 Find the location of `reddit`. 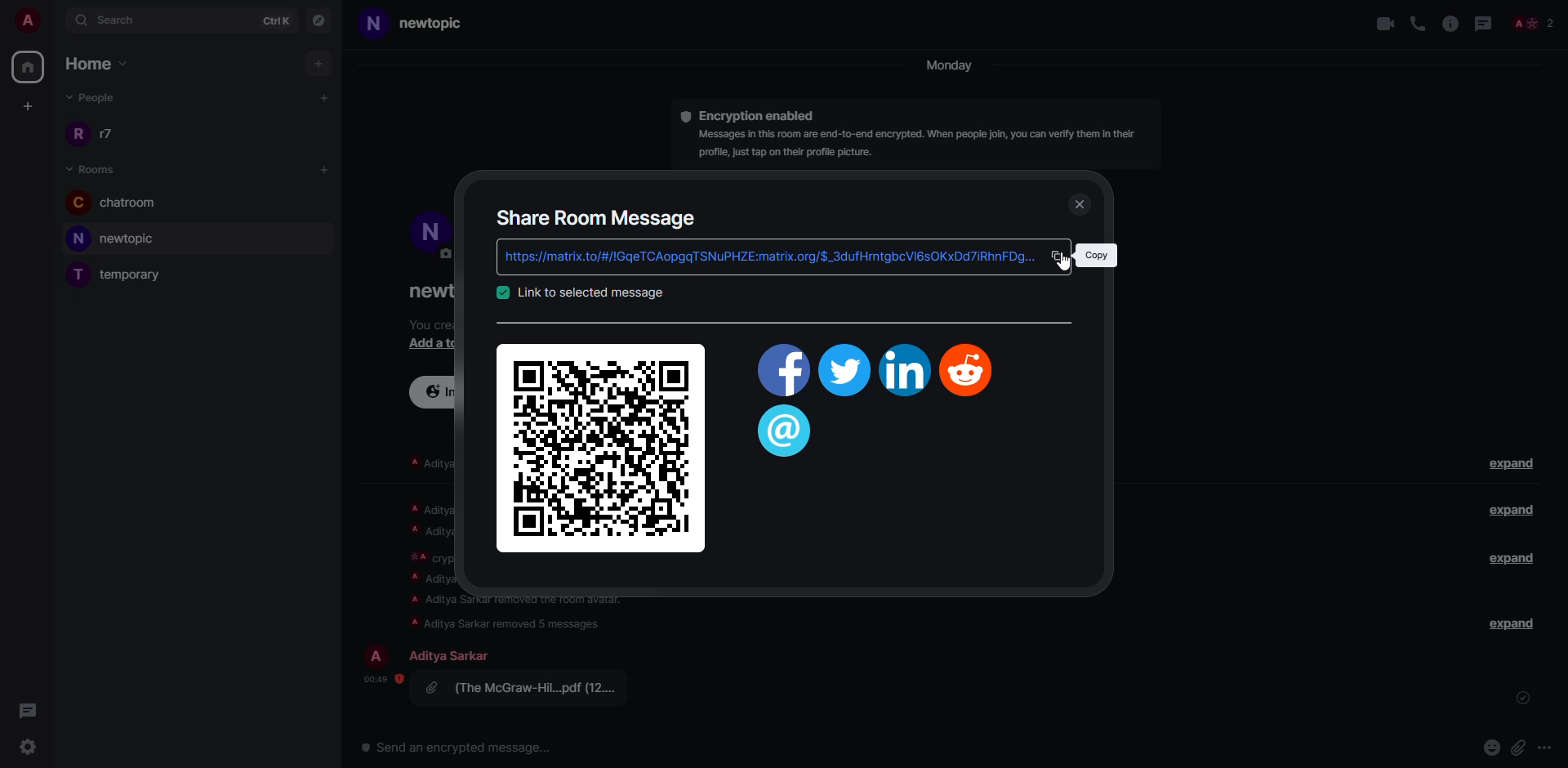

reddit is located at coordinates (969, 368).